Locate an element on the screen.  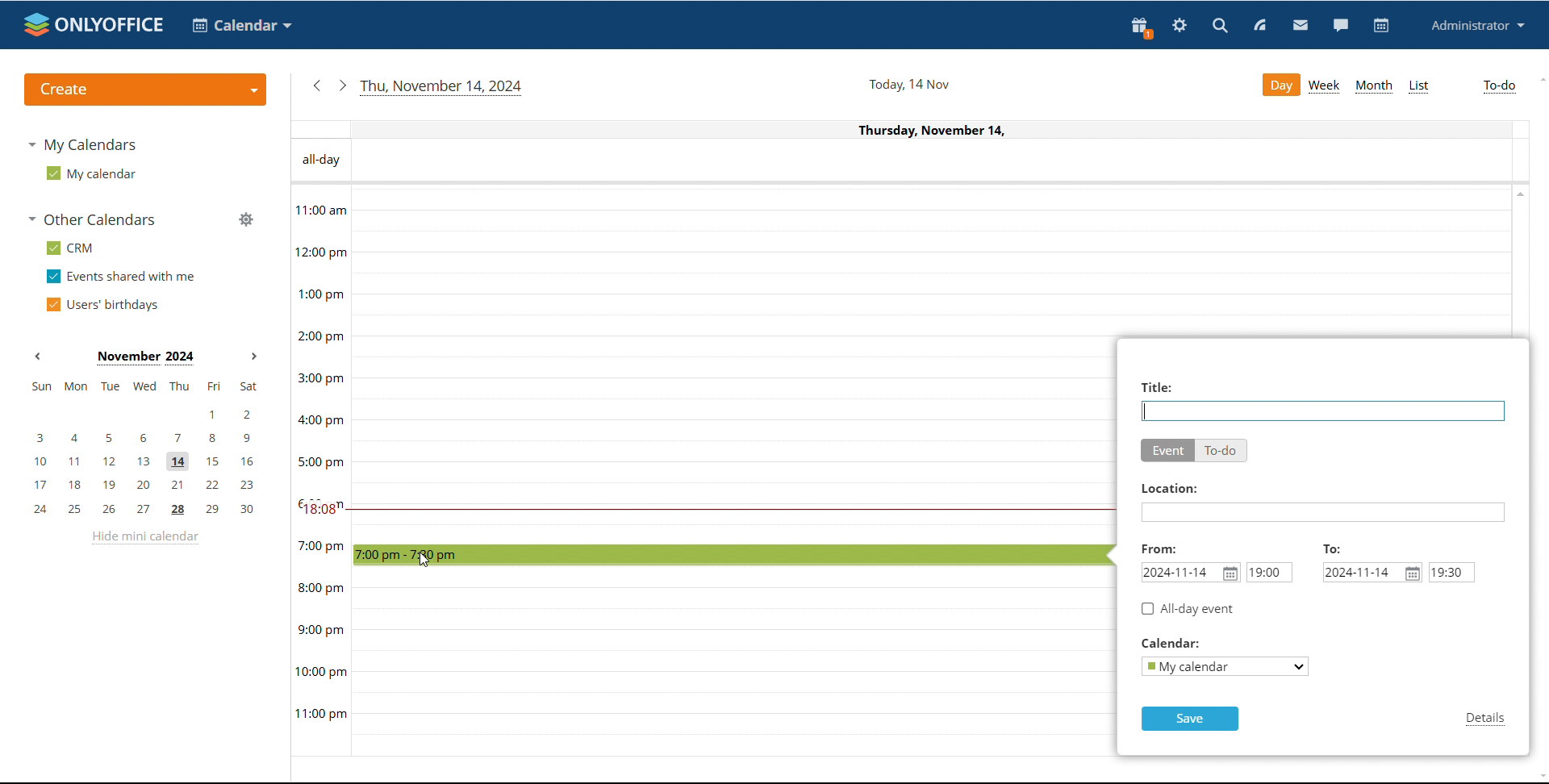
search is located at coordinates (1221, 27).